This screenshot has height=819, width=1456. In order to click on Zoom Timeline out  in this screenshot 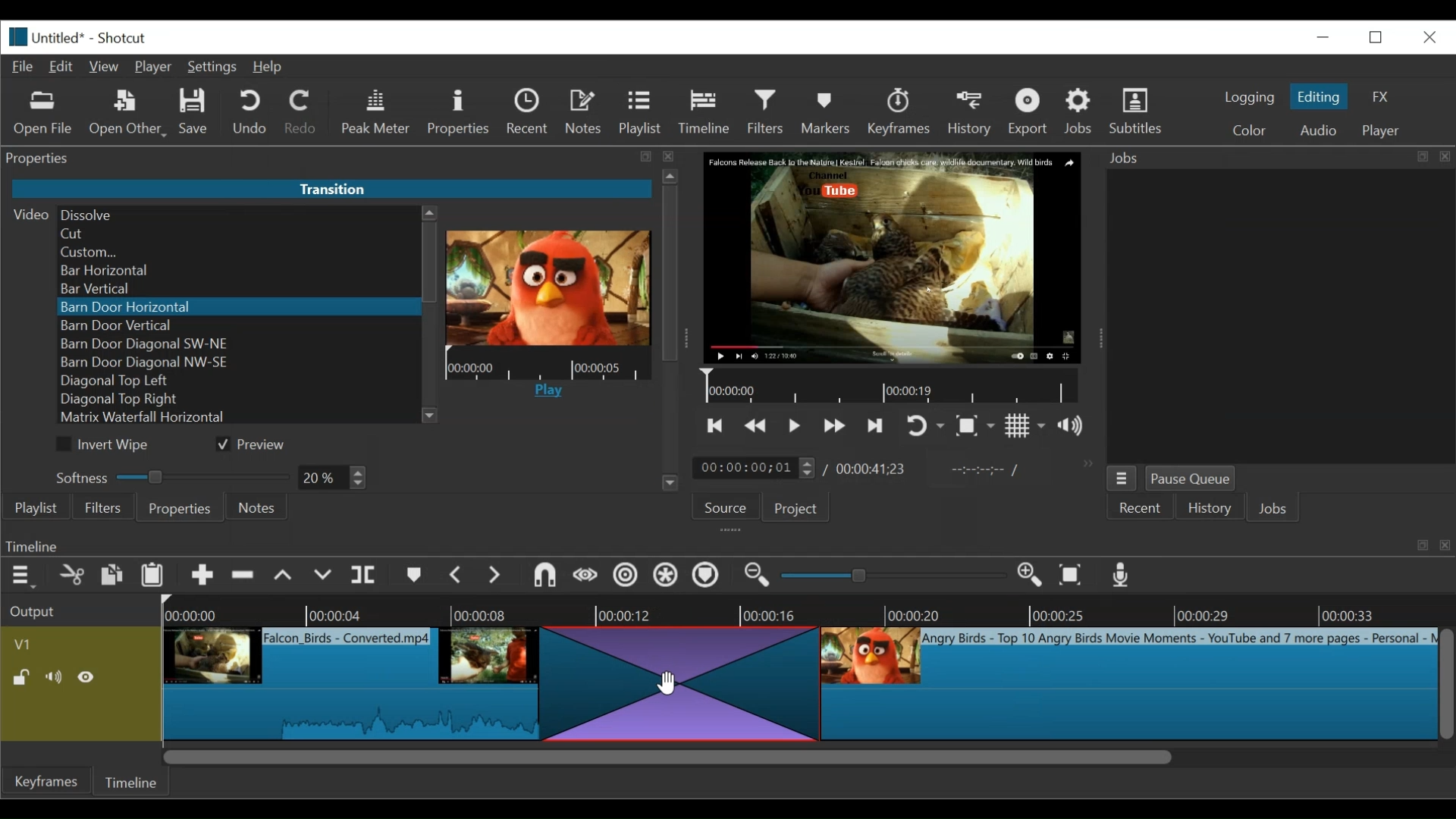, I will do `click(756, 576)`.